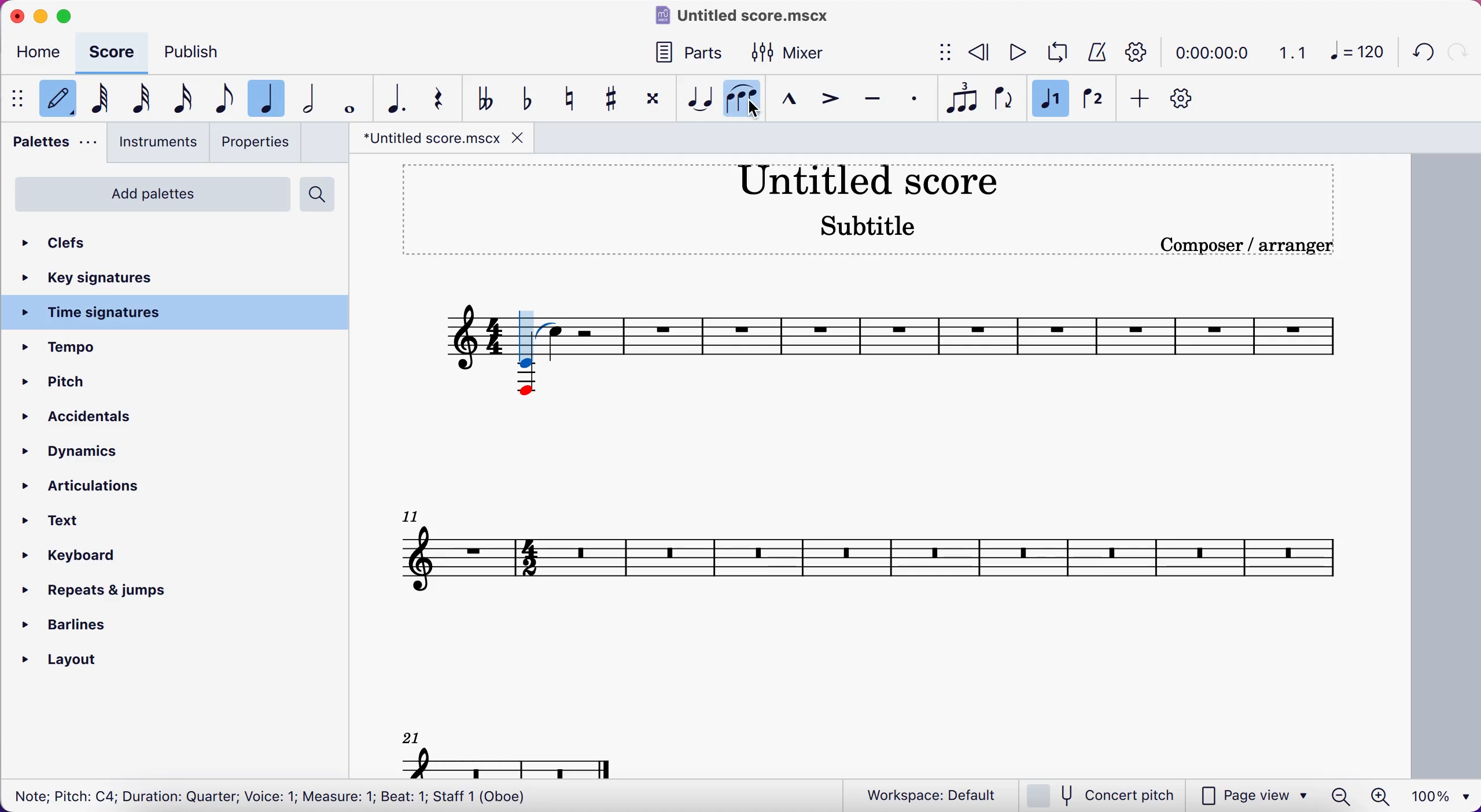 This screenshot has height=812, width=1481. Describe the element at coordinates (1382, 796) in the screenshot. I see `zoom in` at that location.